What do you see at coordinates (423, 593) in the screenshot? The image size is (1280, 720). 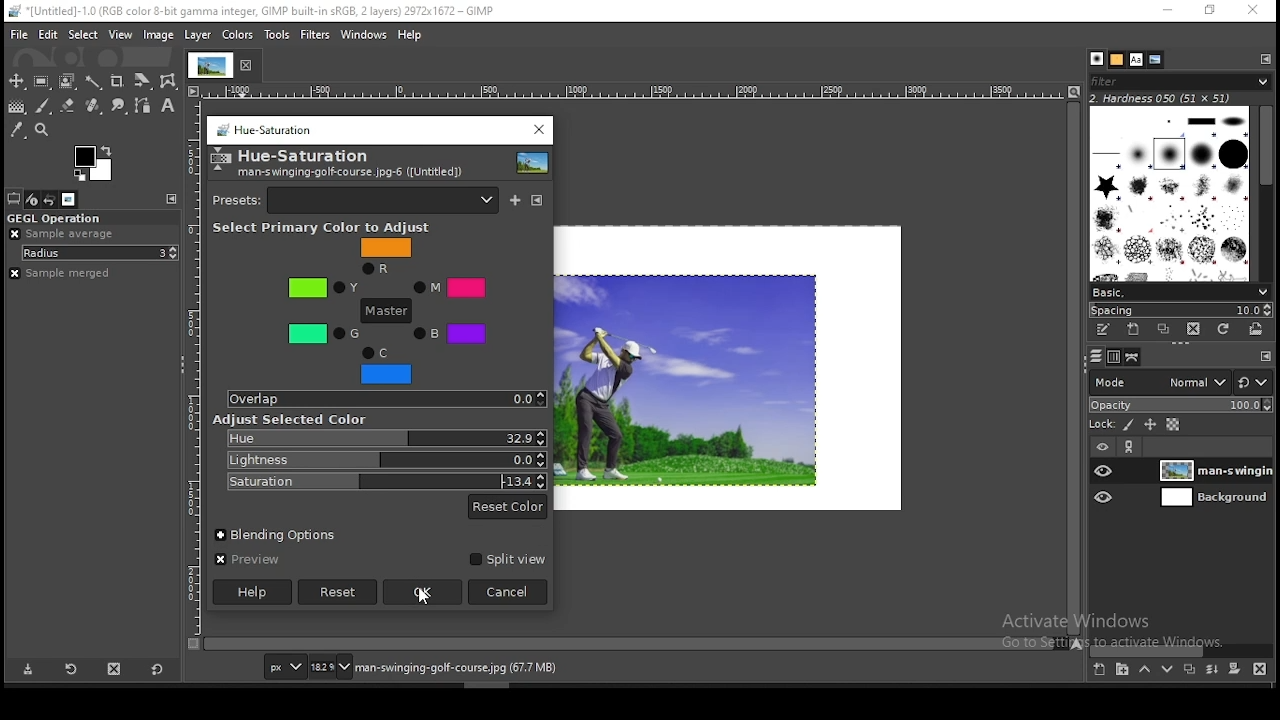 I see `ok` at bounding box center [423, 593].